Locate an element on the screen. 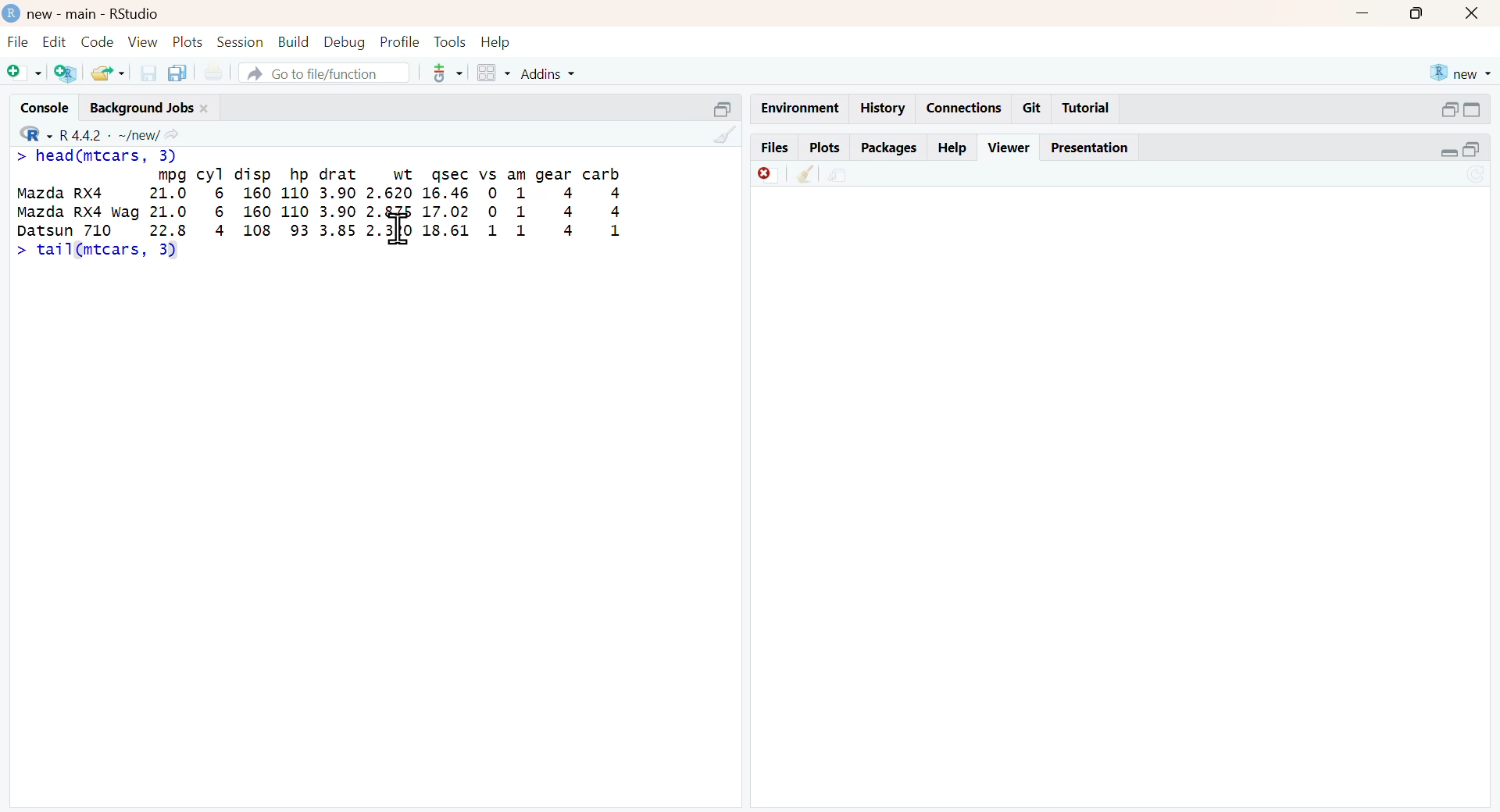  Build is located at coordinates (294, 40).